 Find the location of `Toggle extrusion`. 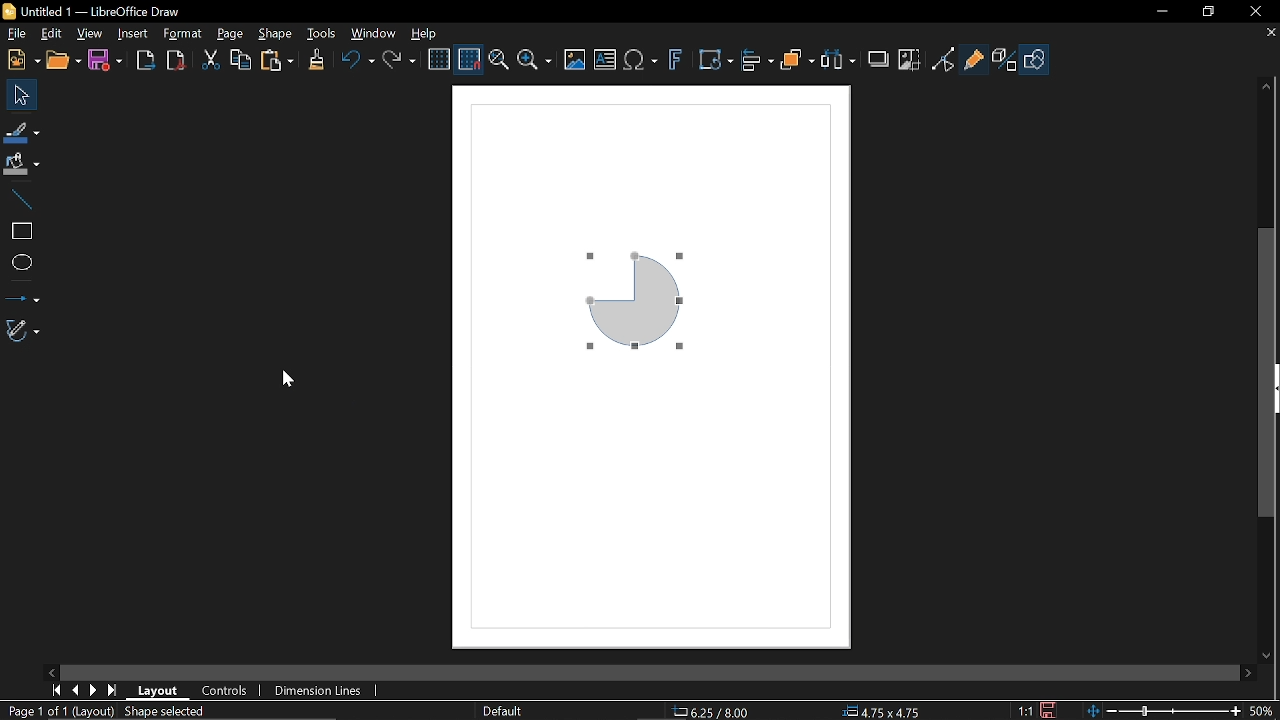

Toggle extrusion is located at coordinates (1006, 60).